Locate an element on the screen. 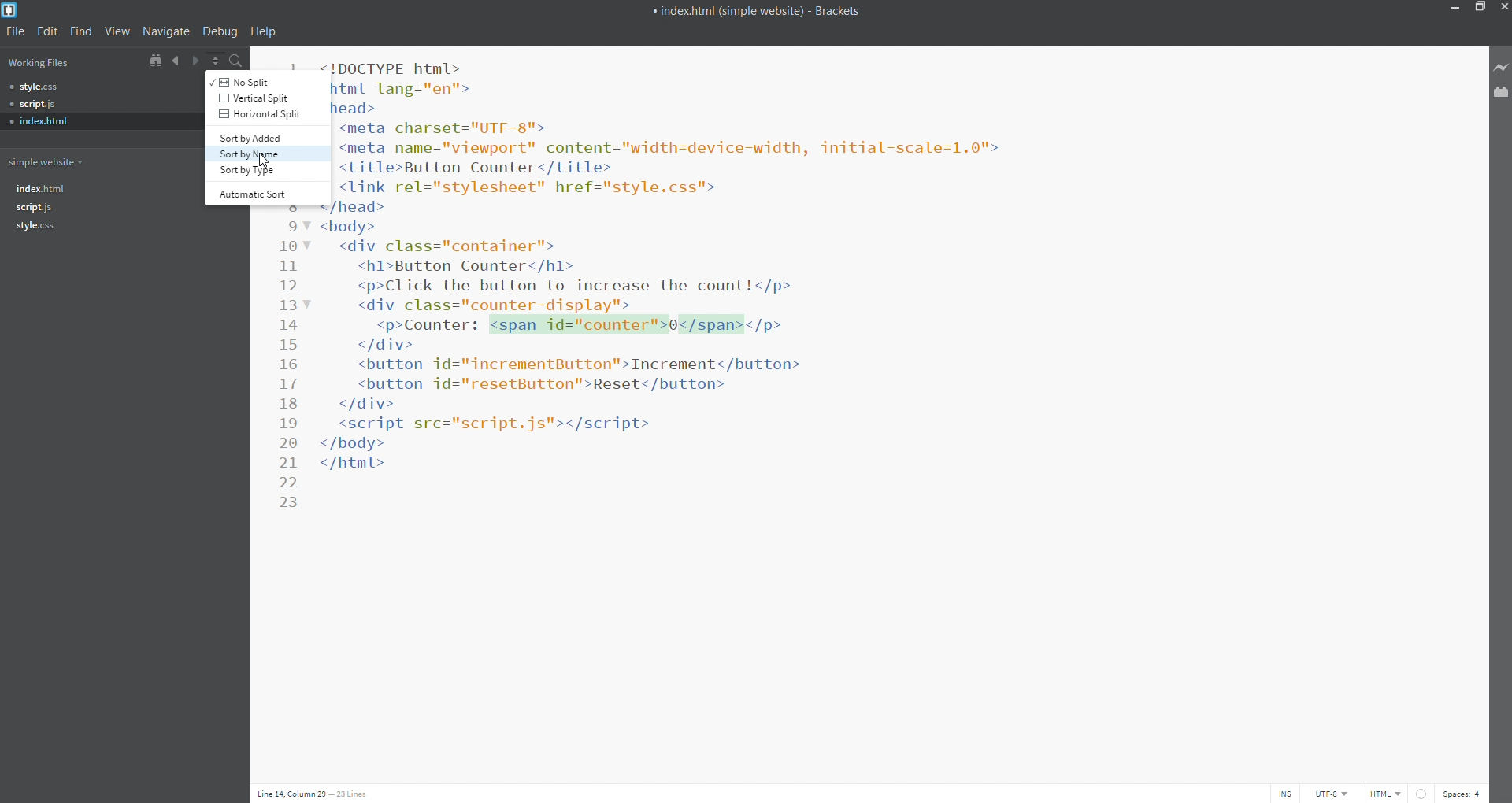 The image size is (1512, 803). view is located at coordinates (120, 31).